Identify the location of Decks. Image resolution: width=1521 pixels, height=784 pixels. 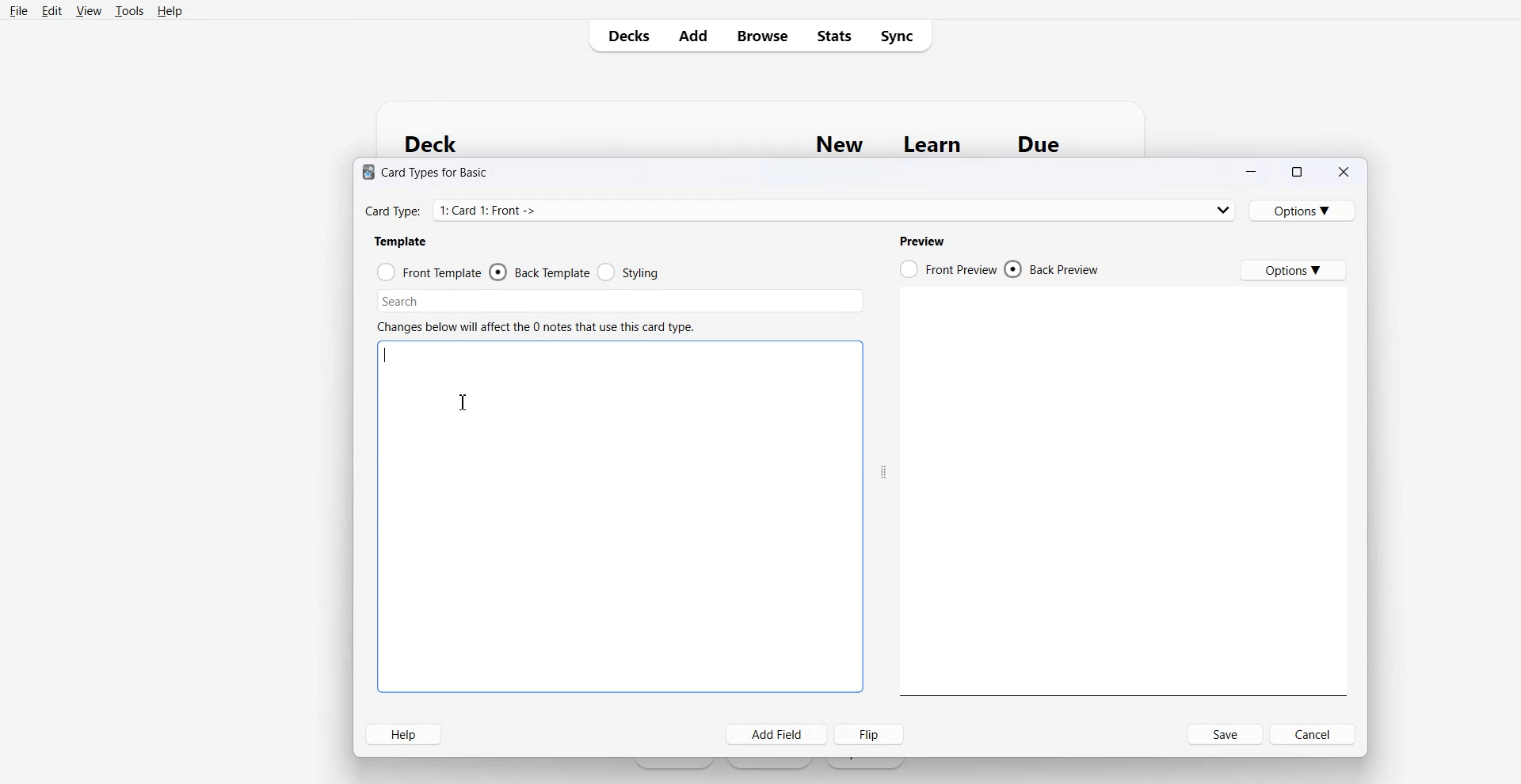
(623, 36).